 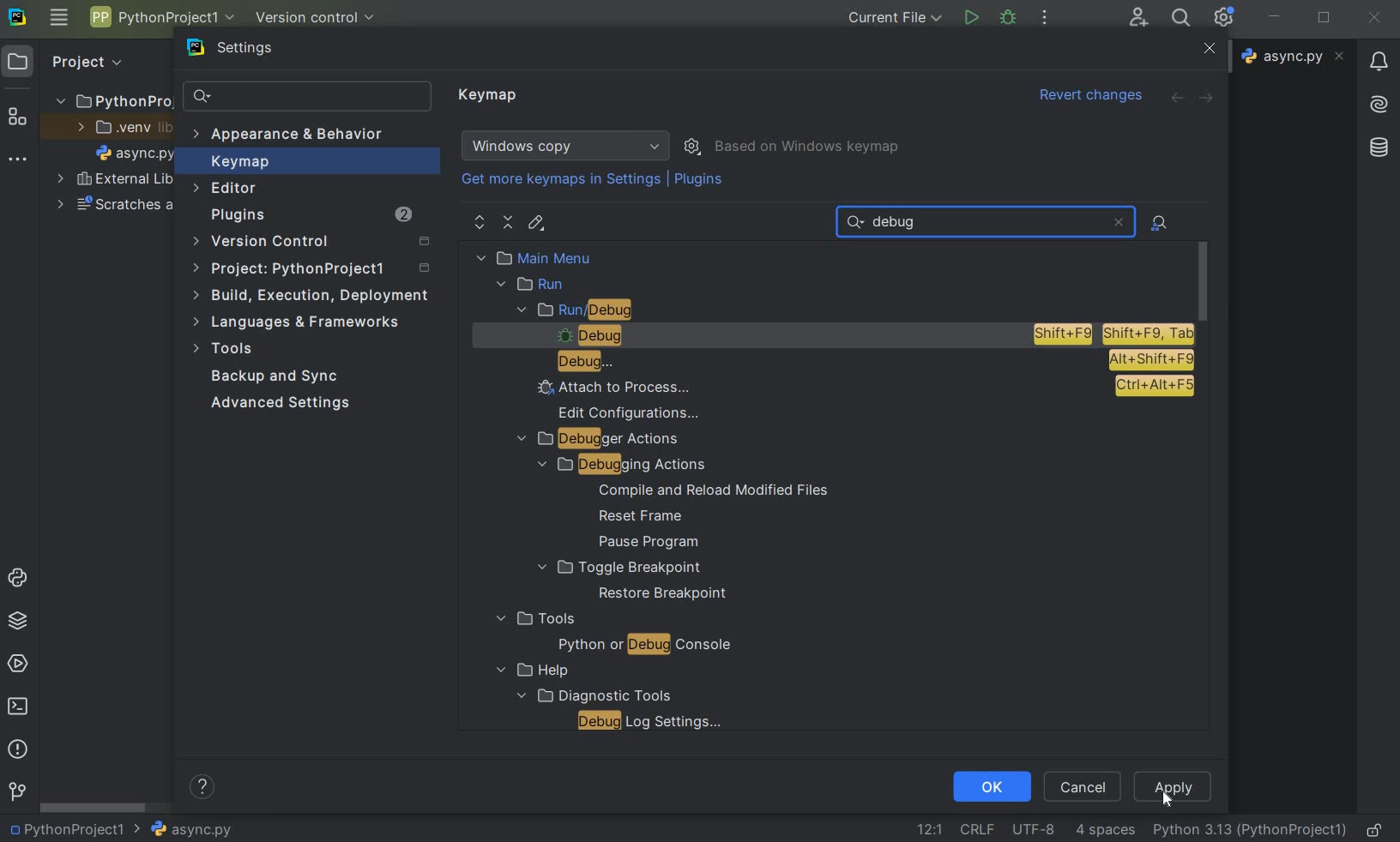 I want to click on reset frame, so click(x=636, y=517).